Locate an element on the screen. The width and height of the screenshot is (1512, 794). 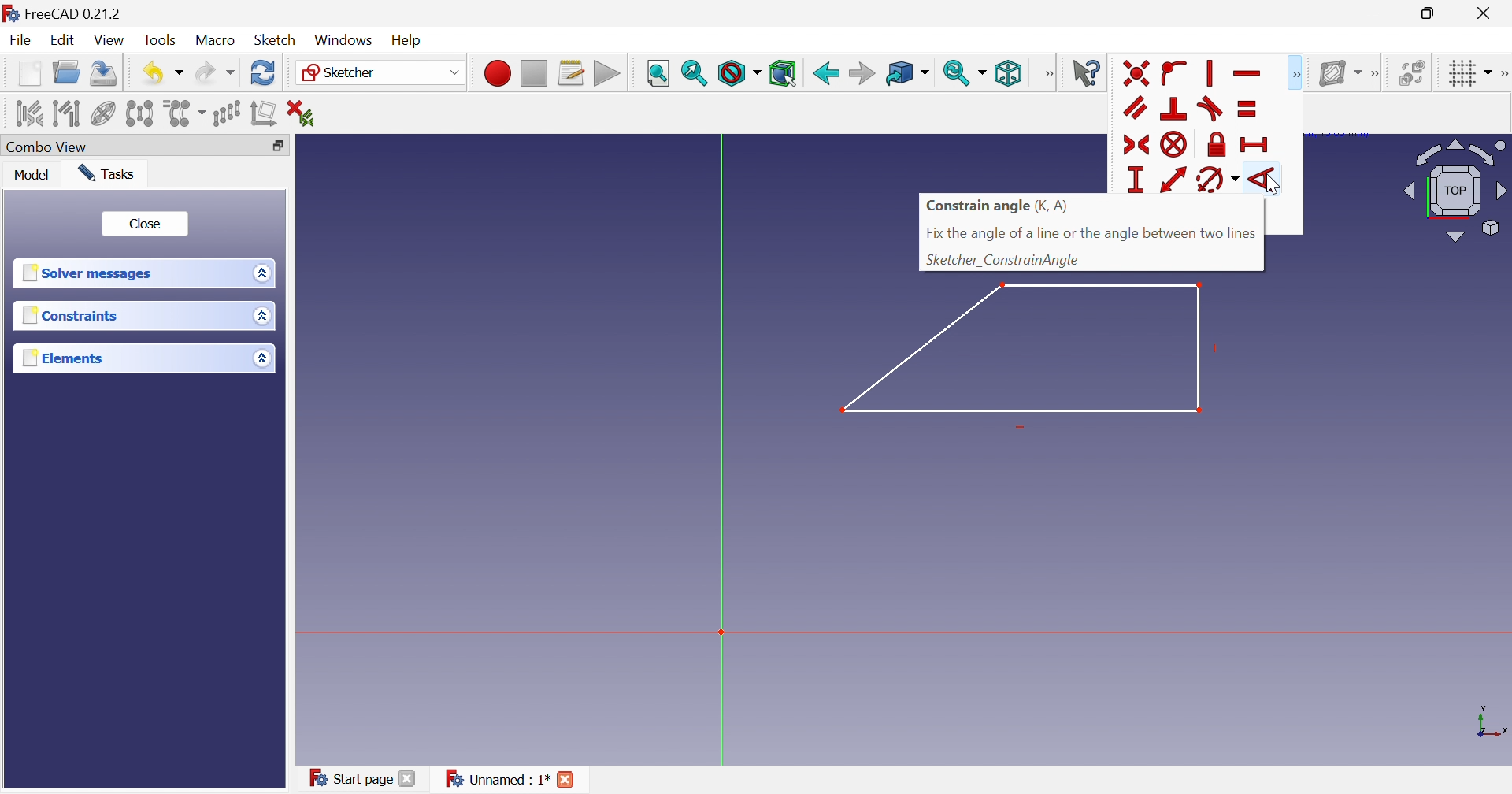
Elements is located at coordinates (61, 358).